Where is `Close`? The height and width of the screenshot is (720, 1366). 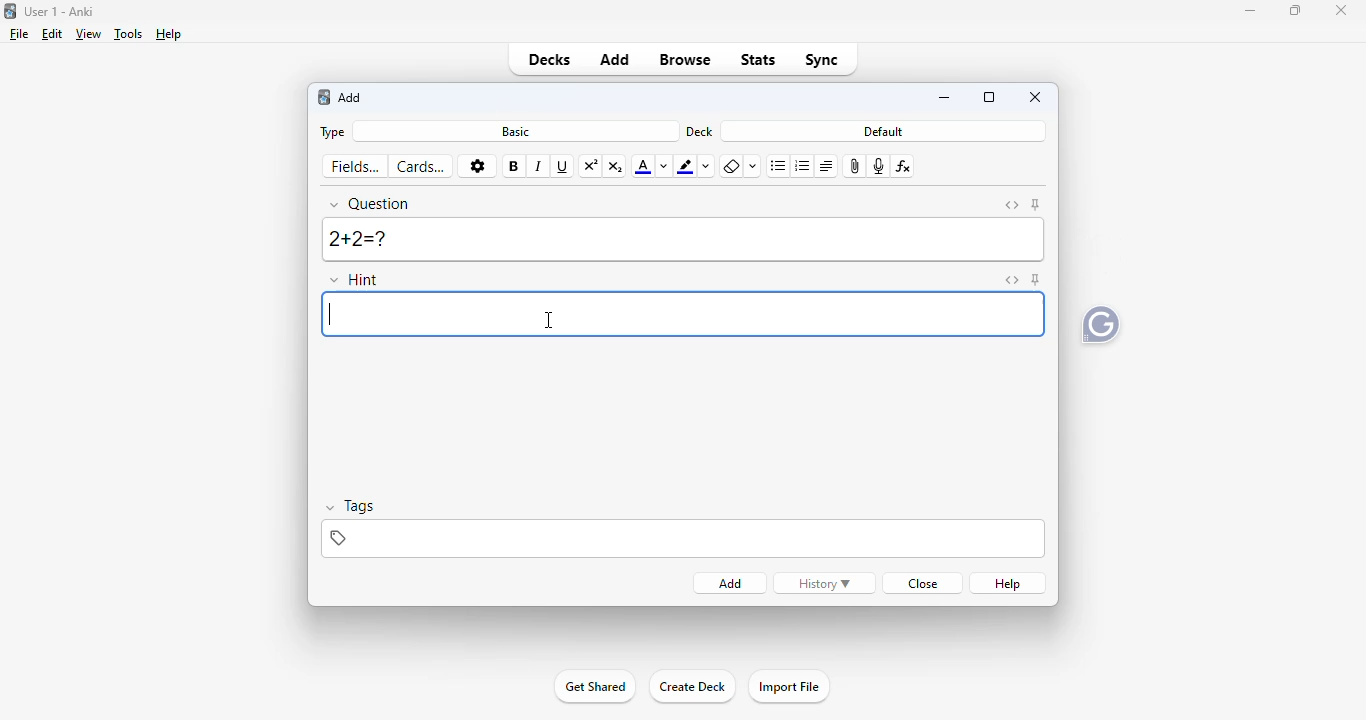
Close is located at coordinates (1338, 14).